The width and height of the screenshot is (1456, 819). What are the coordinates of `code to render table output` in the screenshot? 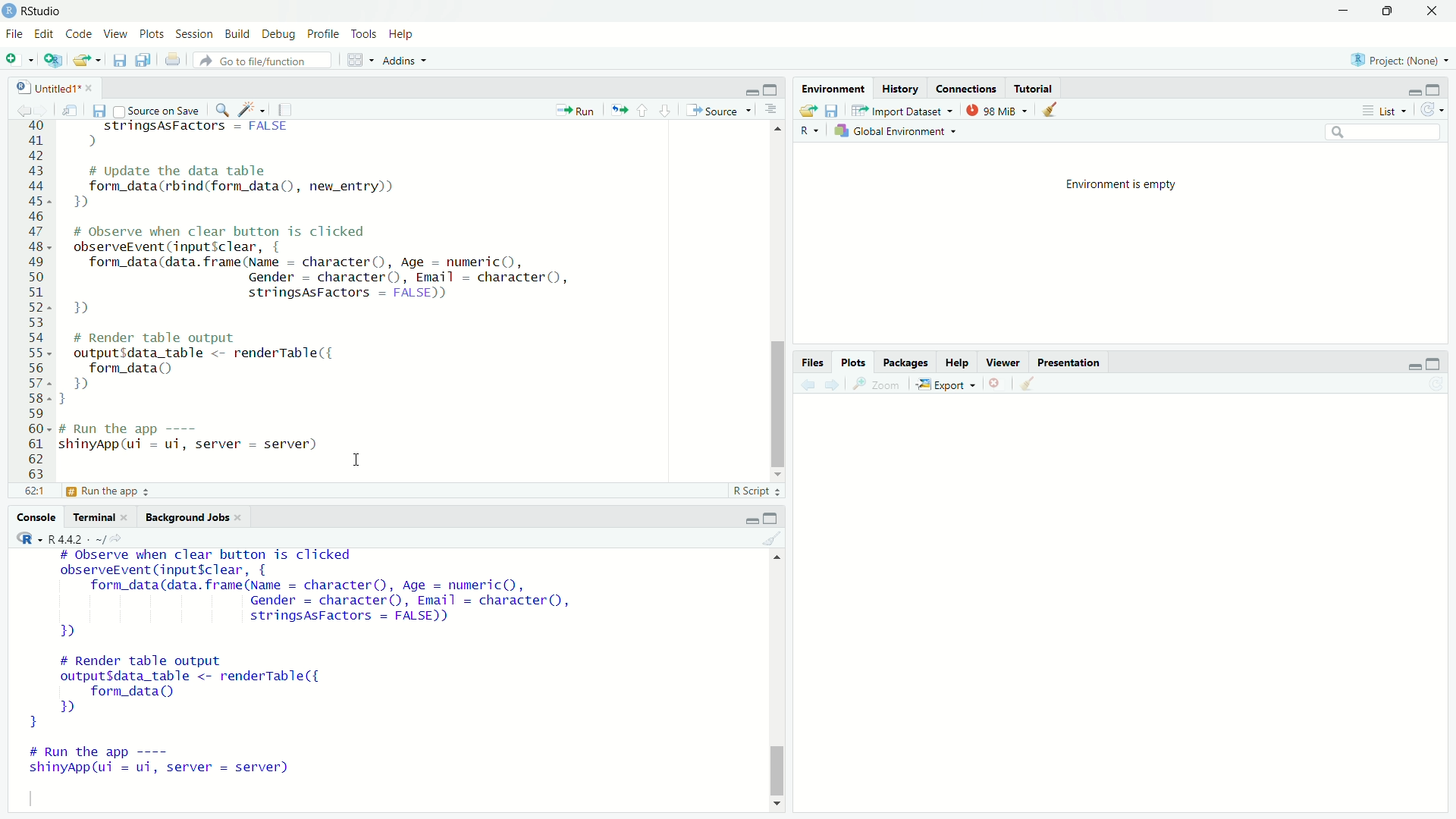 It's located at (209, 691).